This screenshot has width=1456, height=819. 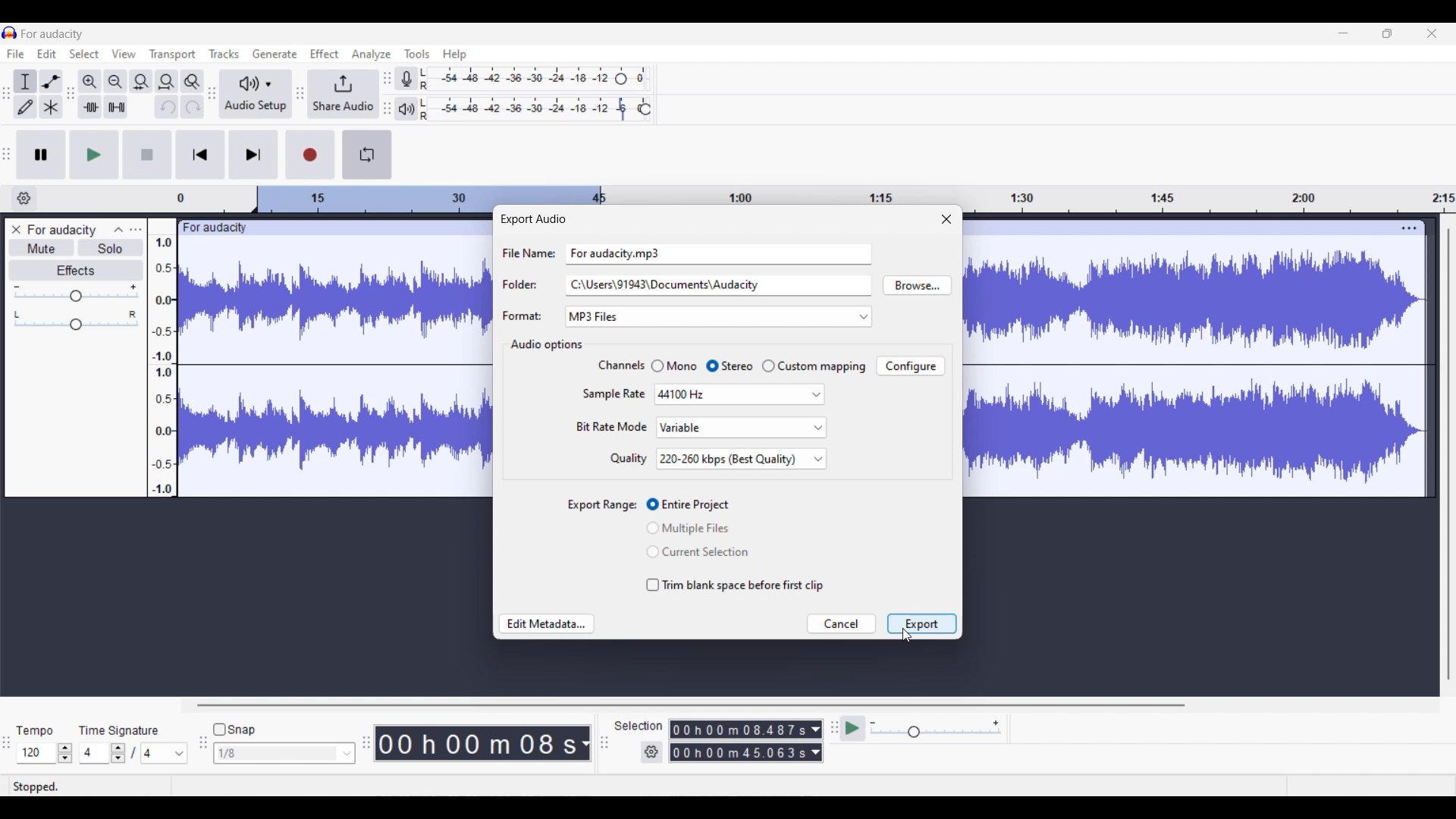 I want to click on Skip/Select to end, so click(x=254, y=154).